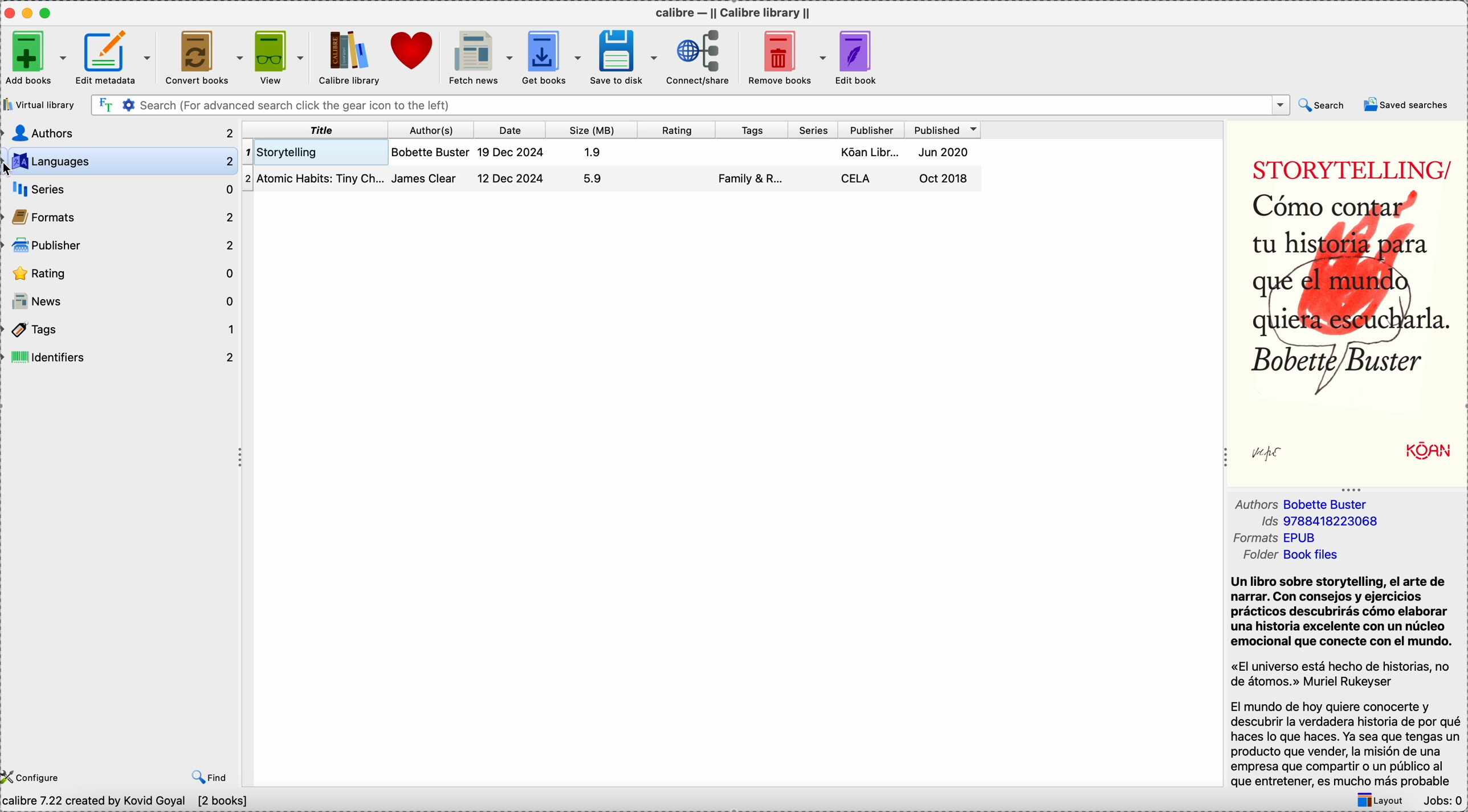 The height and width of the screenshot is (812, 1468). I want to click on add books, so click(34, 62).